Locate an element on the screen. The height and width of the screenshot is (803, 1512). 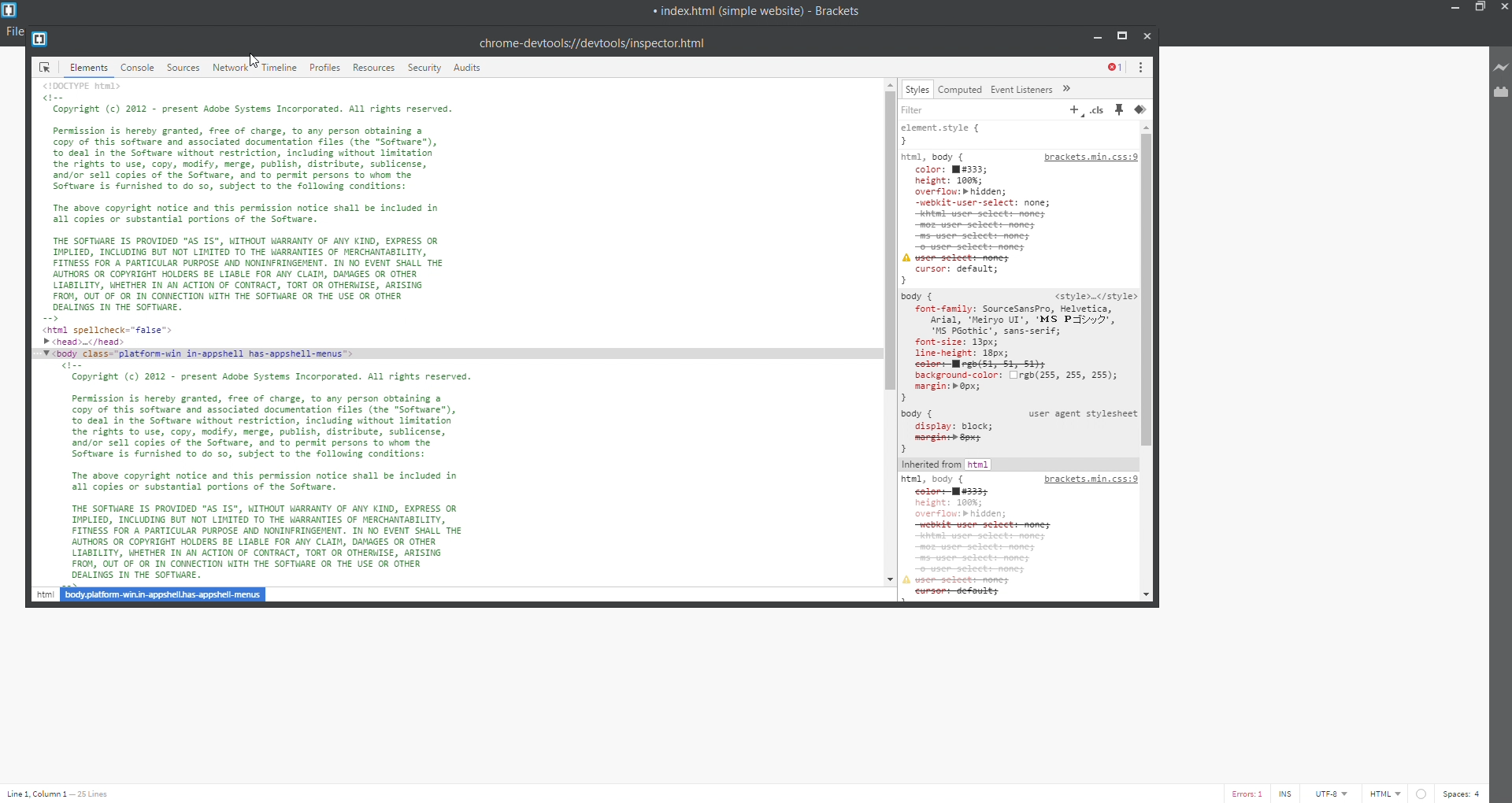
encoding is located at coordinates (1336, 794).